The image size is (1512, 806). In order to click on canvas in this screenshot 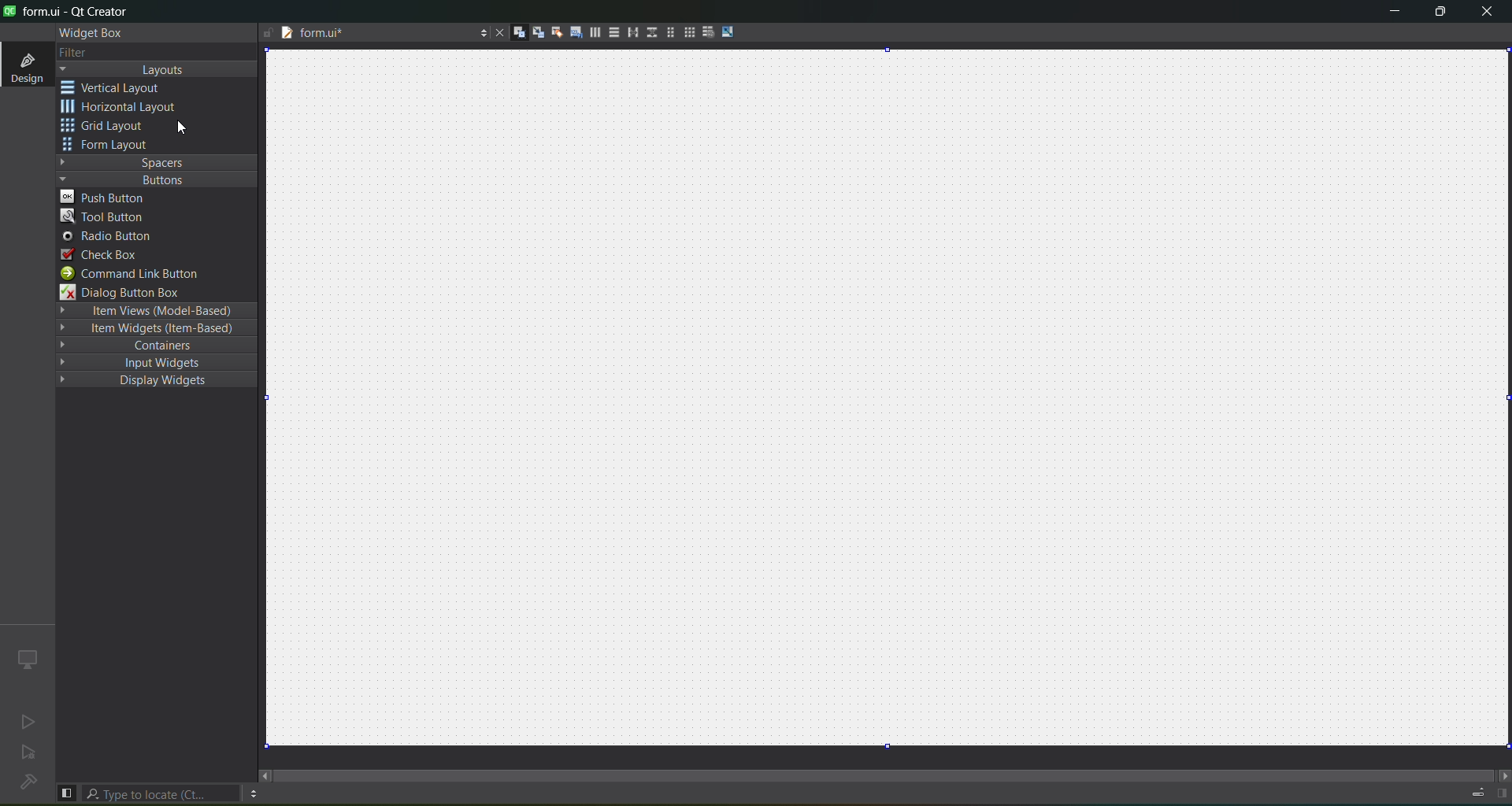, I will do `click(897, 400)`.